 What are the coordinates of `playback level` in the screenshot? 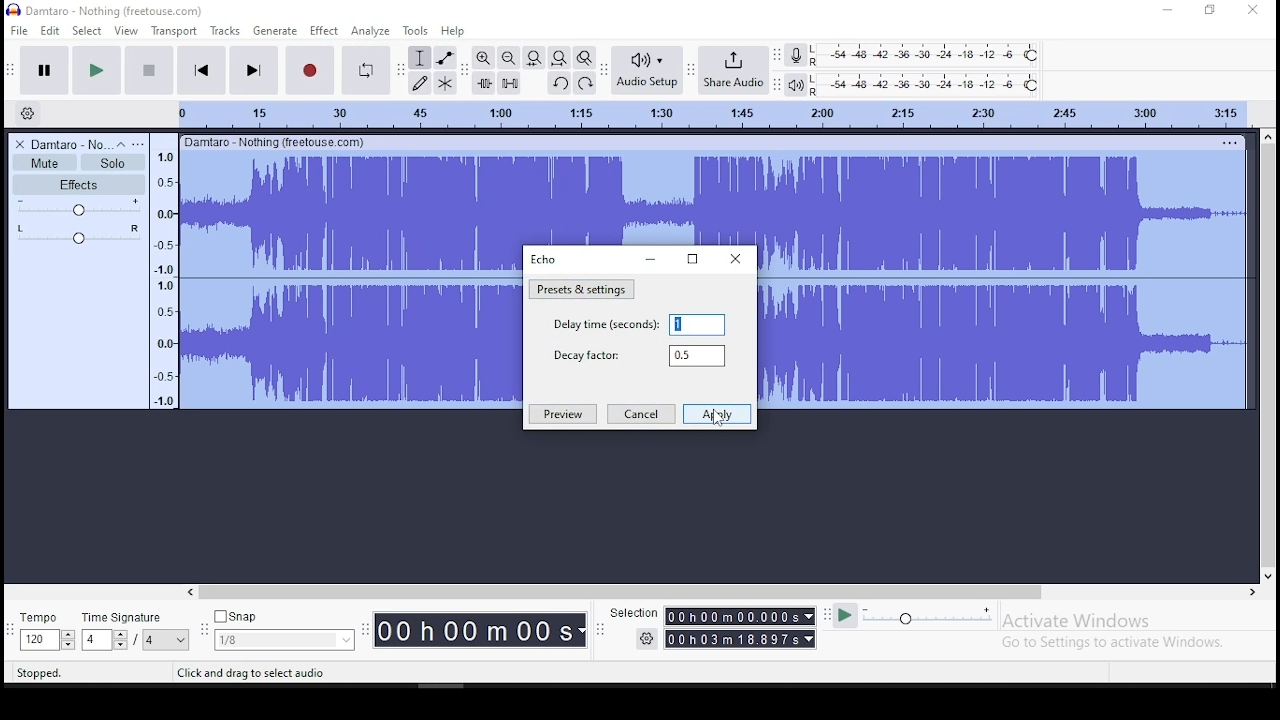 It's located at (925, 84).